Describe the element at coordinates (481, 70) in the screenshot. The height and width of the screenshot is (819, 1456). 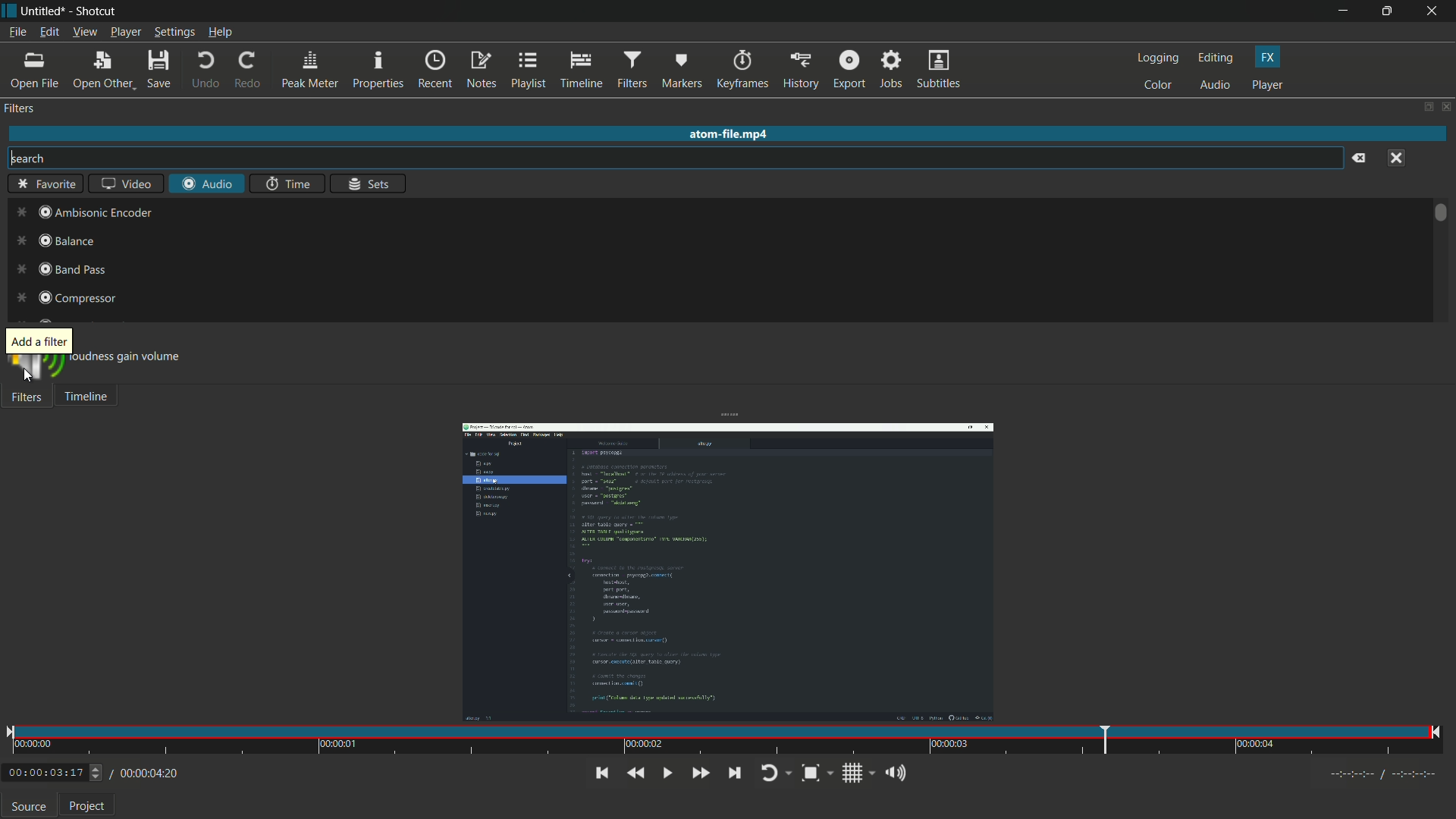
I see `notes` at that location.